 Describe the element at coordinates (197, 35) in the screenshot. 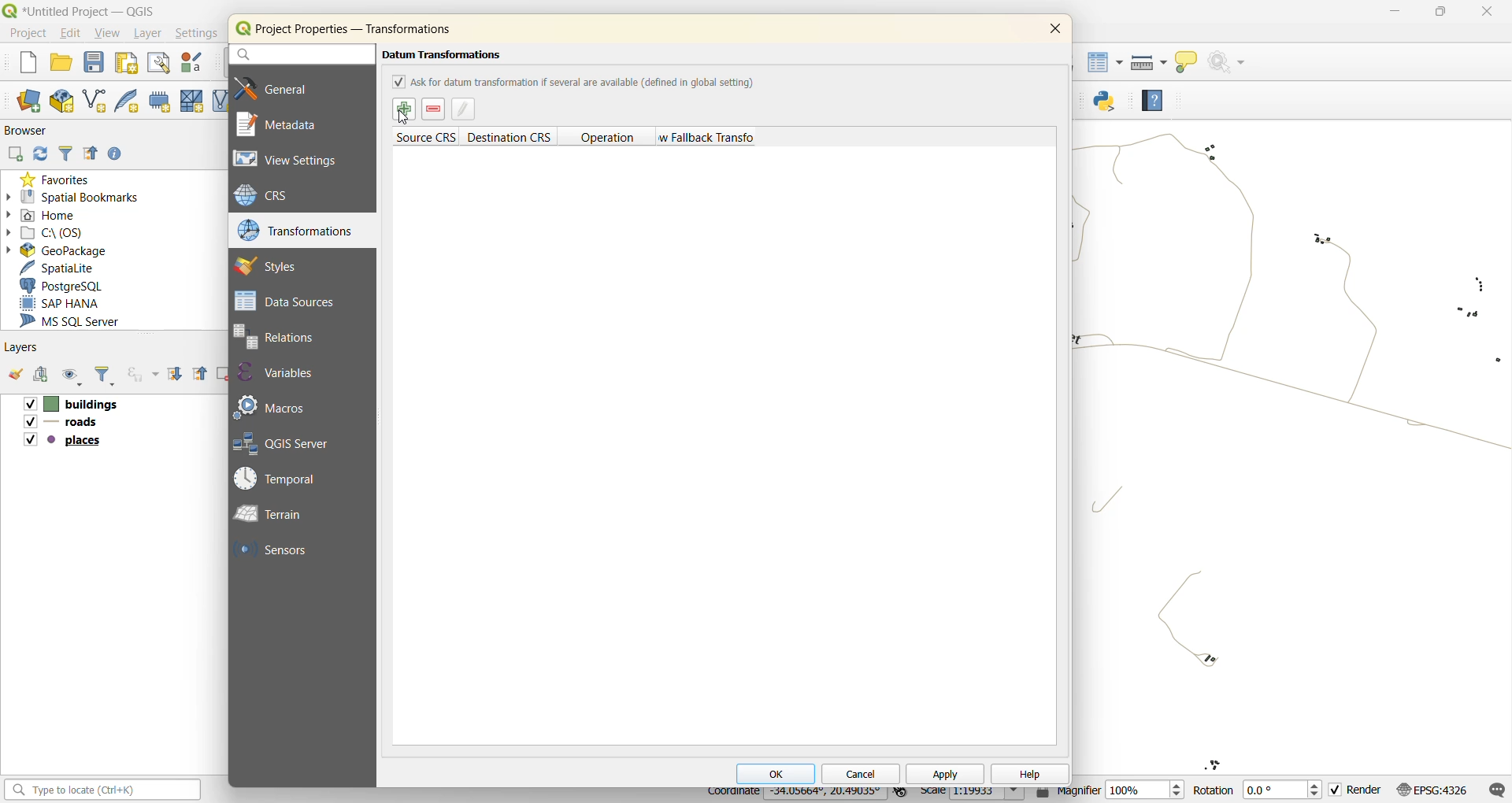

I see `settings` at that location.